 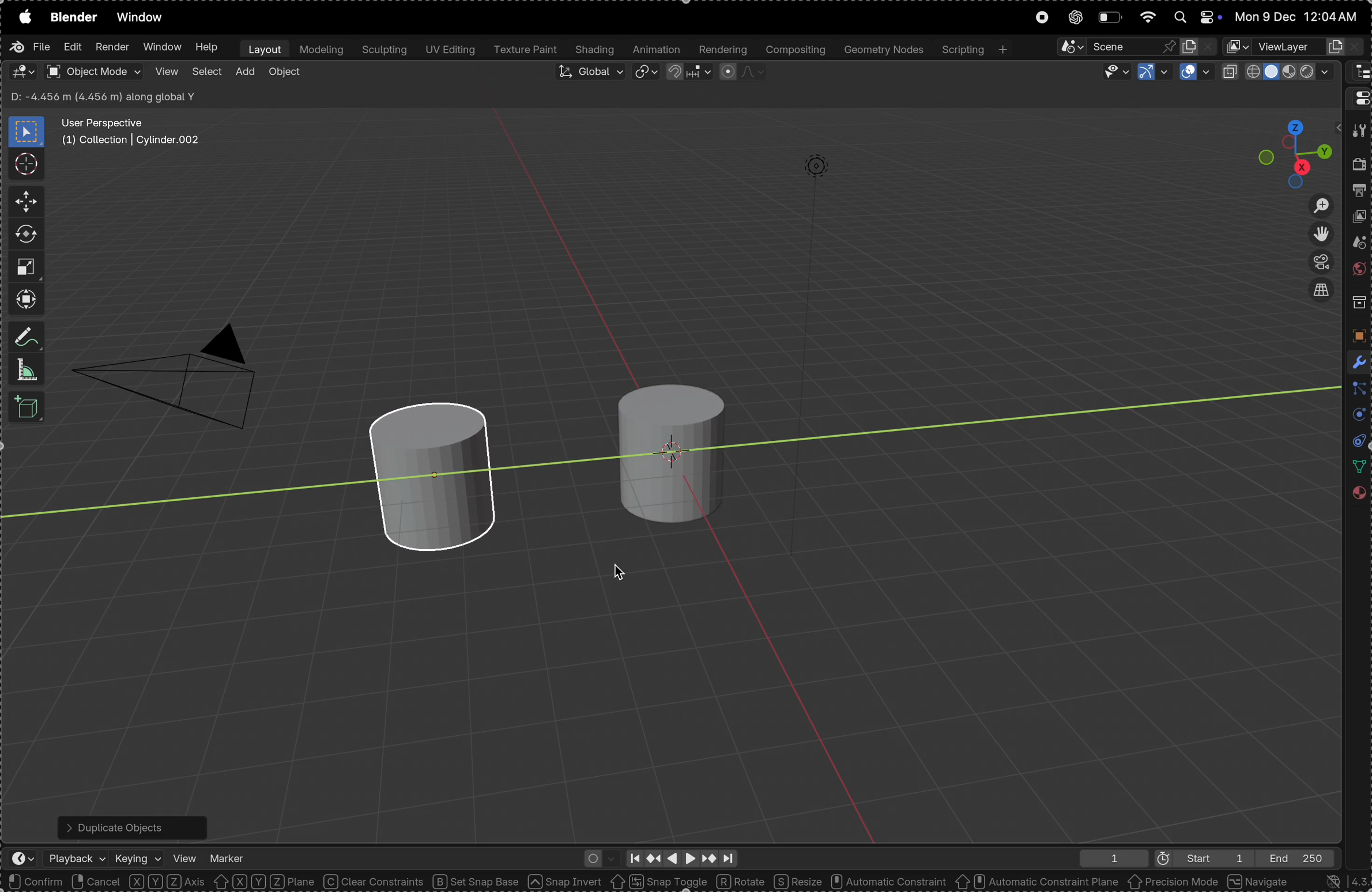 I want to click on texture paint, so click(x=525, y=50).